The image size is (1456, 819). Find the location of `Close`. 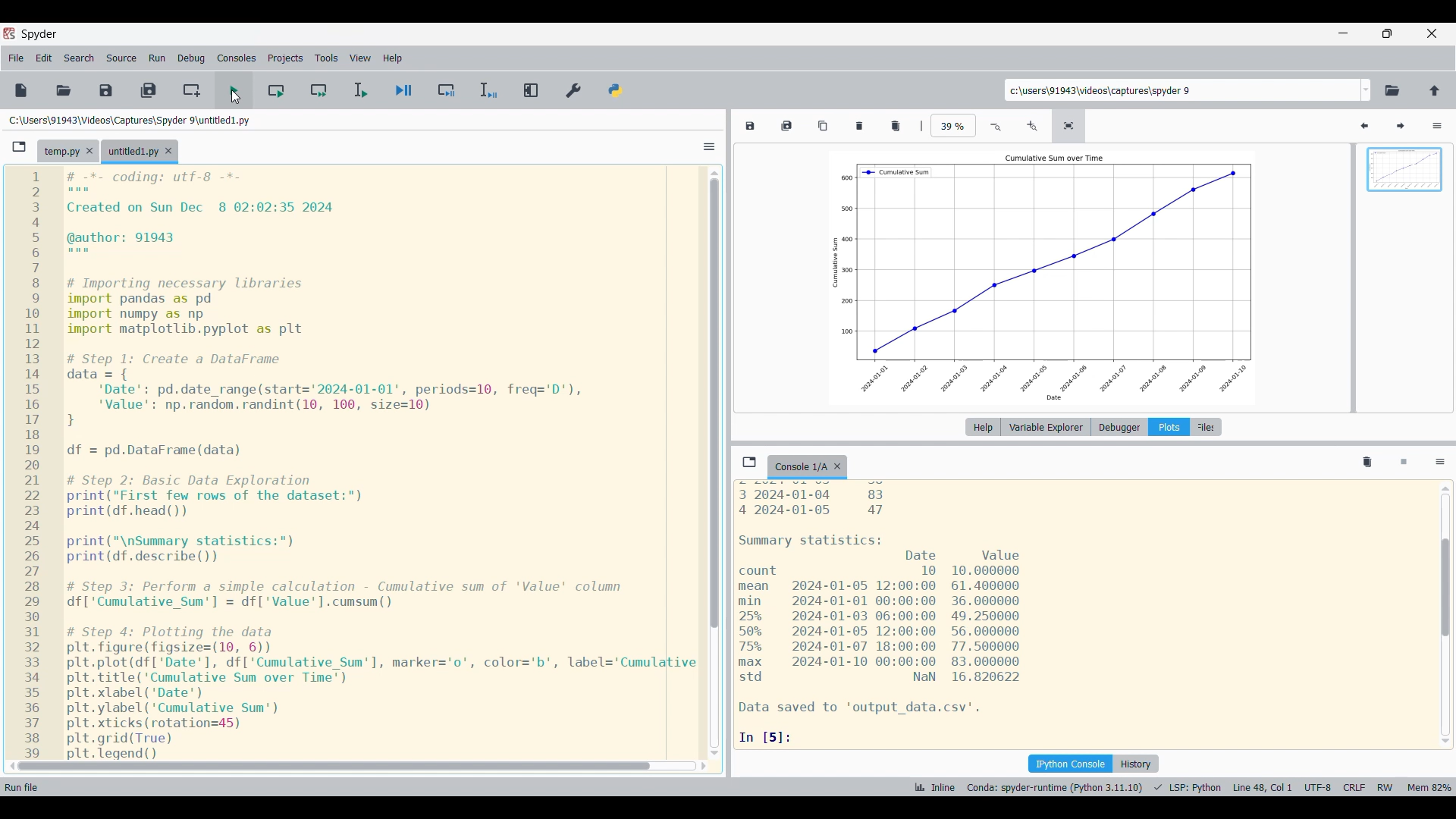

Close is located at coordinates (838, 466).